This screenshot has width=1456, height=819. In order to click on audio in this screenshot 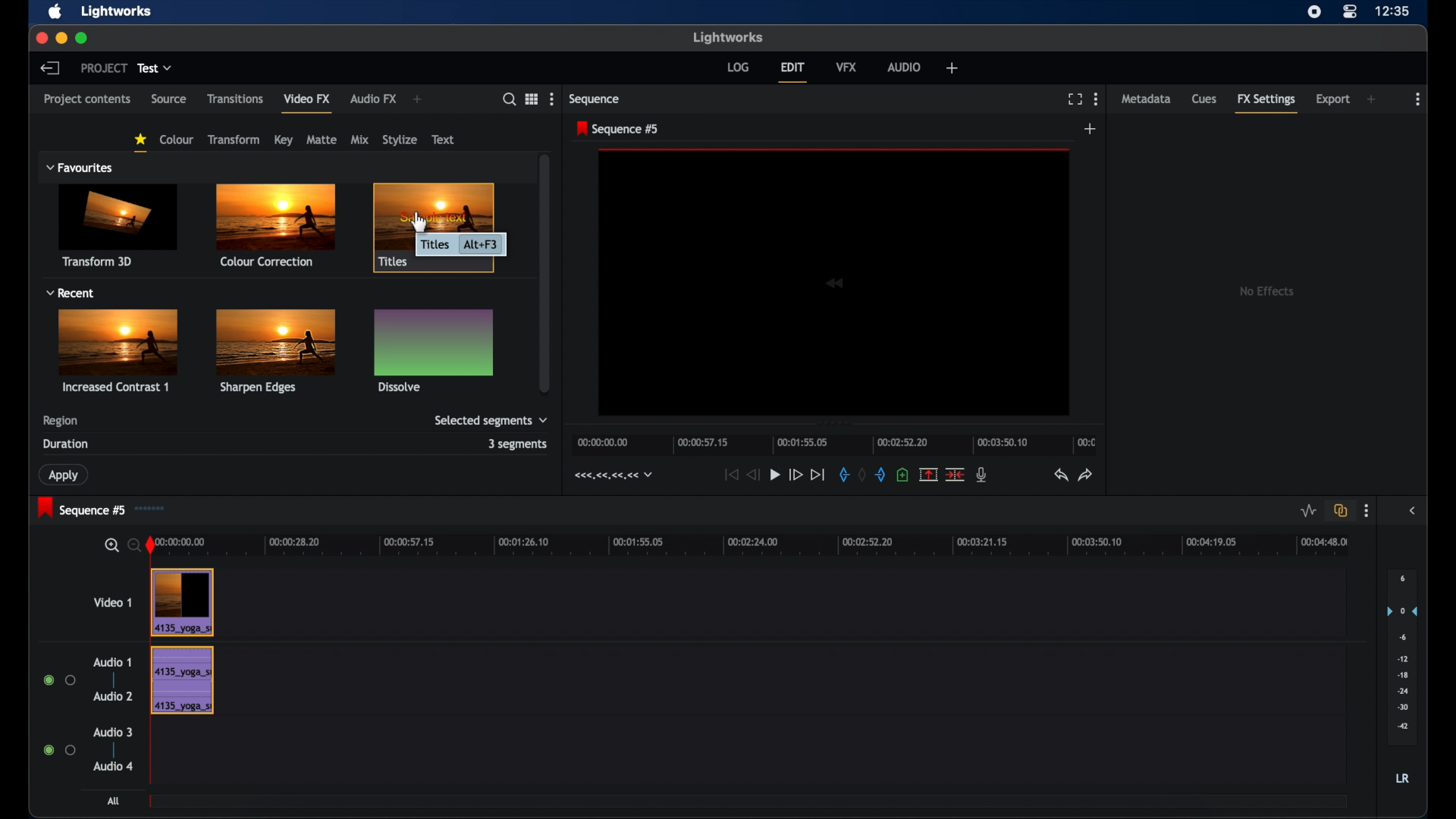, I will do `click(904, 66)`.